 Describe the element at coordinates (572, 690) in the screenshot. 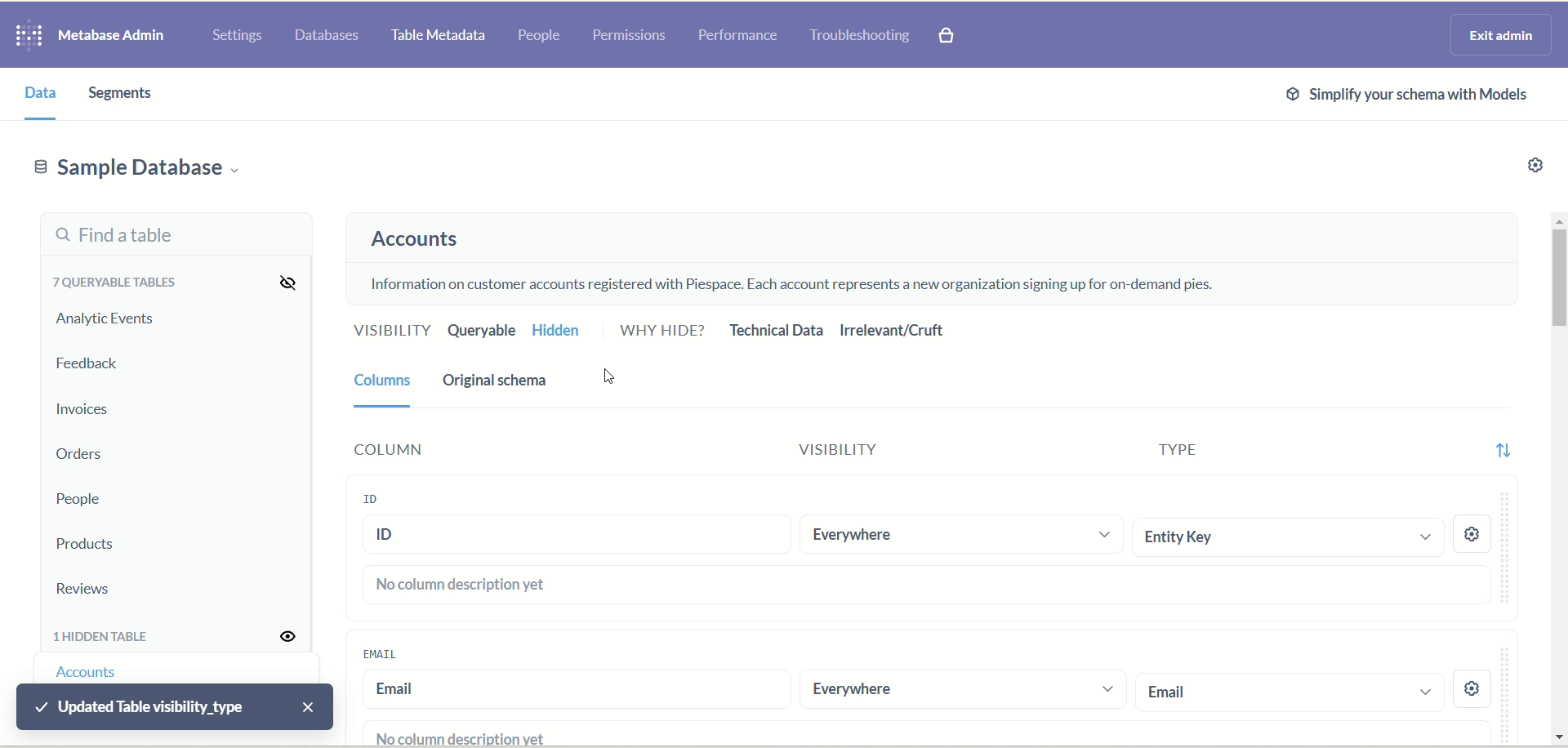

I see `email` at that location.